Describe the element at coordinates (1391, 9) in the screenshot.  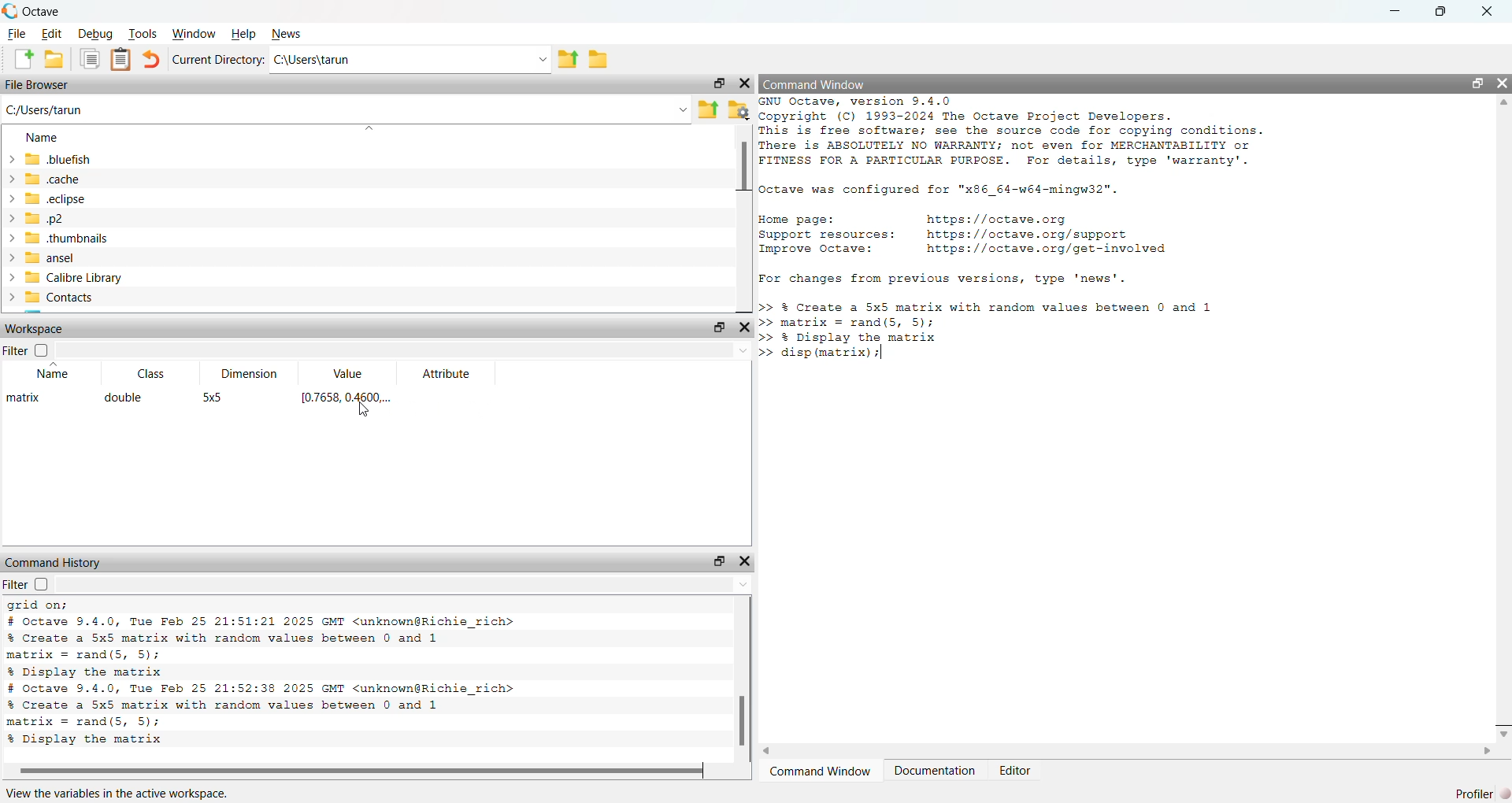
I see `minimise` at that location.